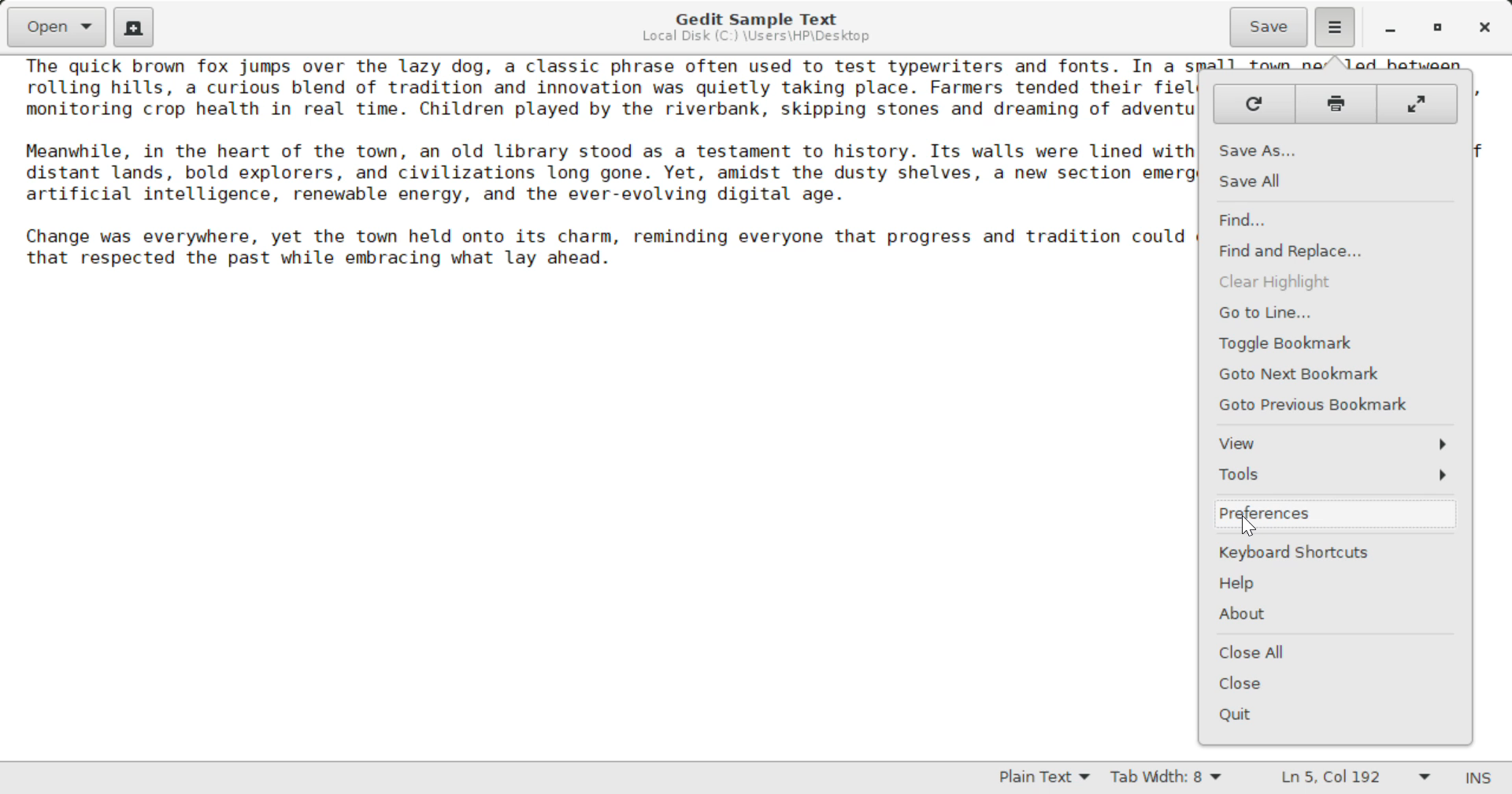 Image resolution: width=1512 pixels, height=794 pixels. I want to click on Create Documents, so click(134, 25).